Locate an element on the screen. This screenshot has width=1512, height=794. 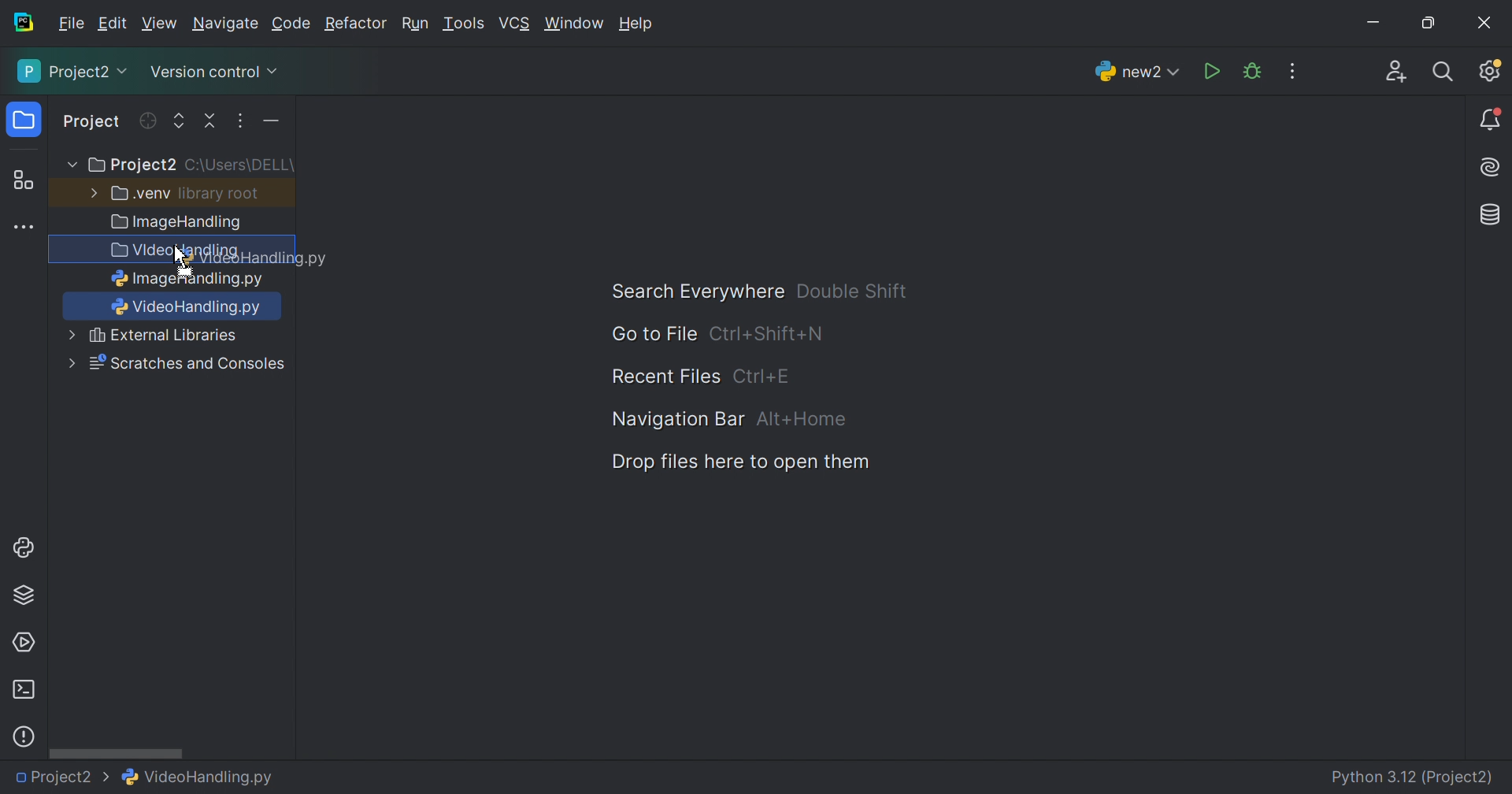
Dop files here to open them is located at coordinates (735, 462).